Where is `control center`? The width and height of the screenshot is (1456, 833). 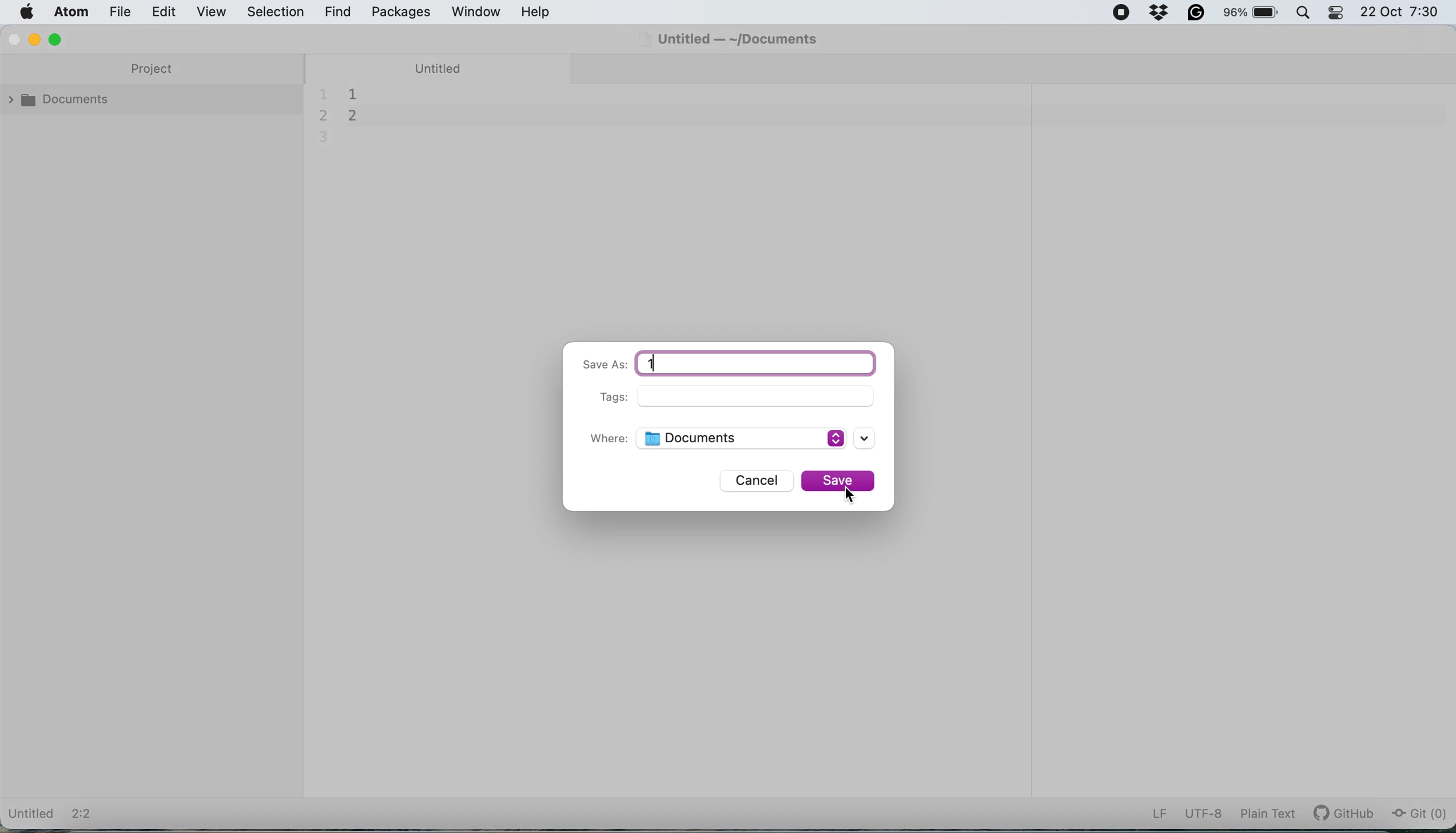 control center is located at coordinates (1335, 13).